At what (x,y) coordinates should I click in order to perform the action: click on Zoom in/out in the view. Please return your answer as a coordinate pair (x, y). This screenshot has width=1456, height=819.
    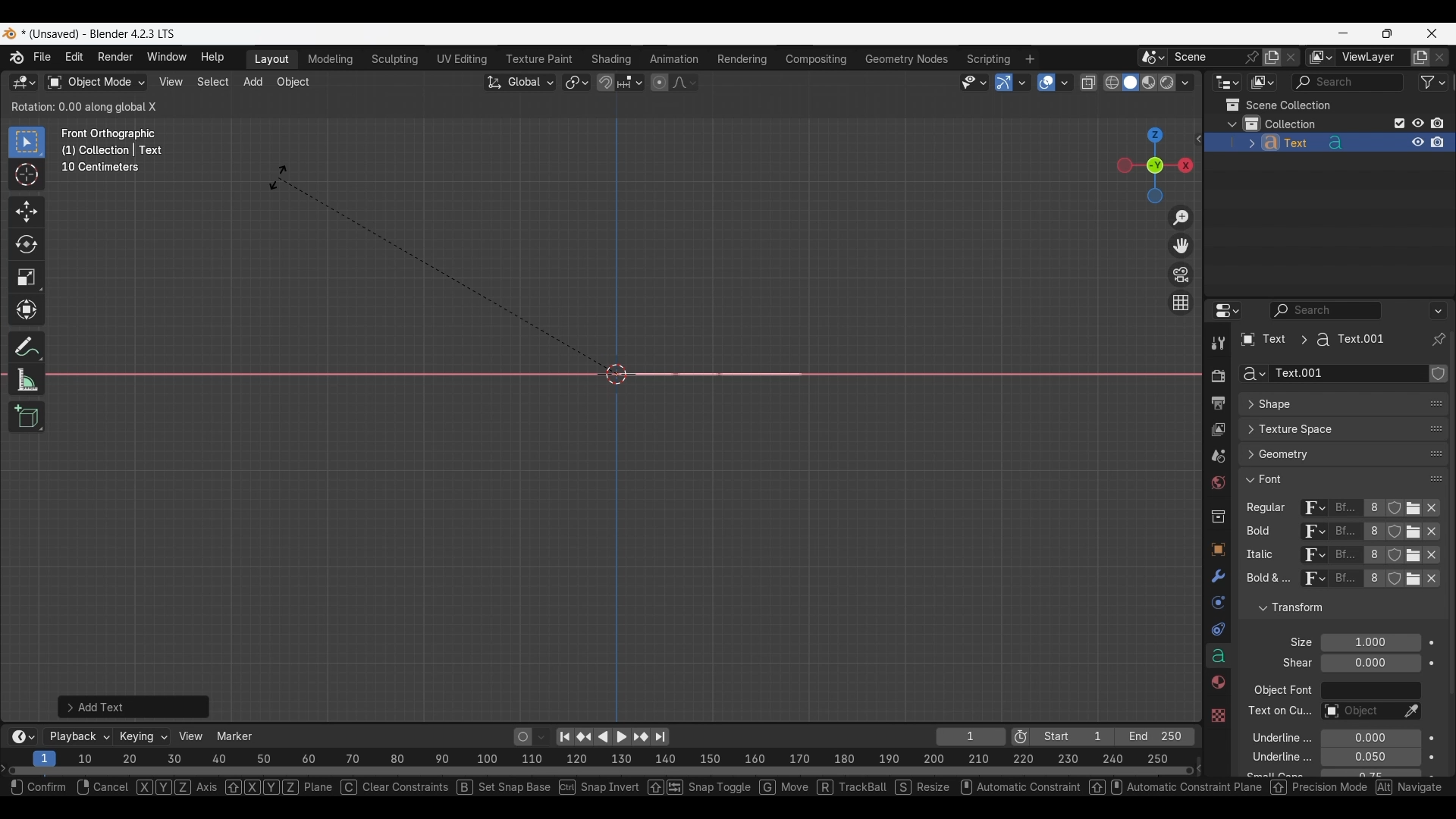
    Looking at the image, I should click on (1180, 218).